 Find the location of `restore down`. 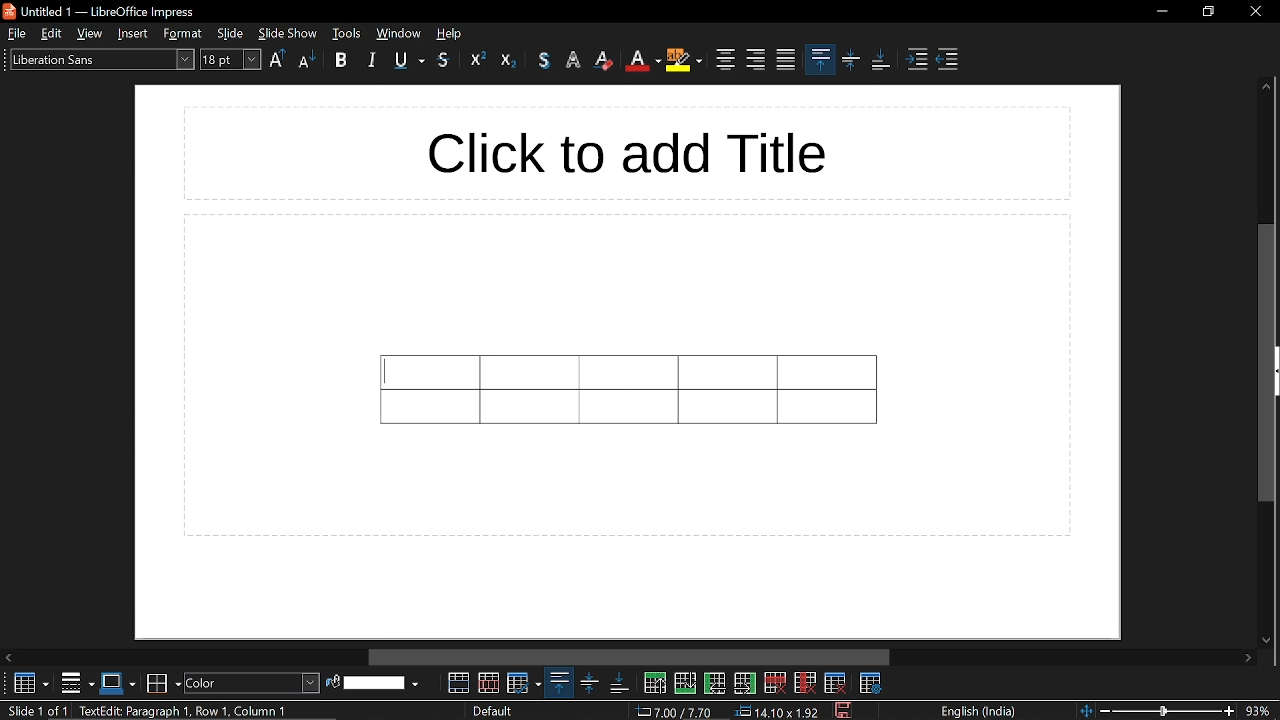

restore down is located at coordinates (1205, 14).